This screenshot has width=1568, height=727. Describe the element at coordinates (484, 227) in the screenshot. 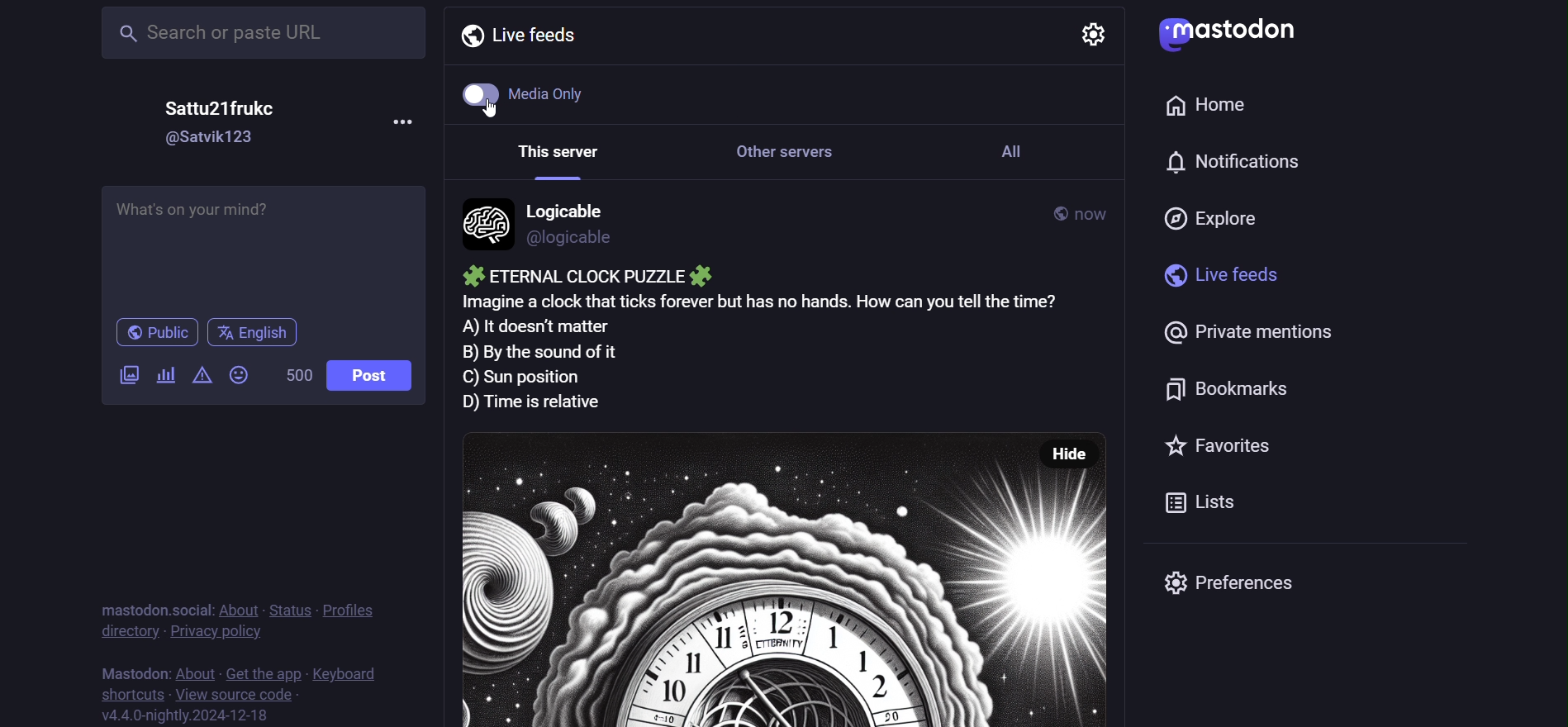

I see `profile picture` at that location.